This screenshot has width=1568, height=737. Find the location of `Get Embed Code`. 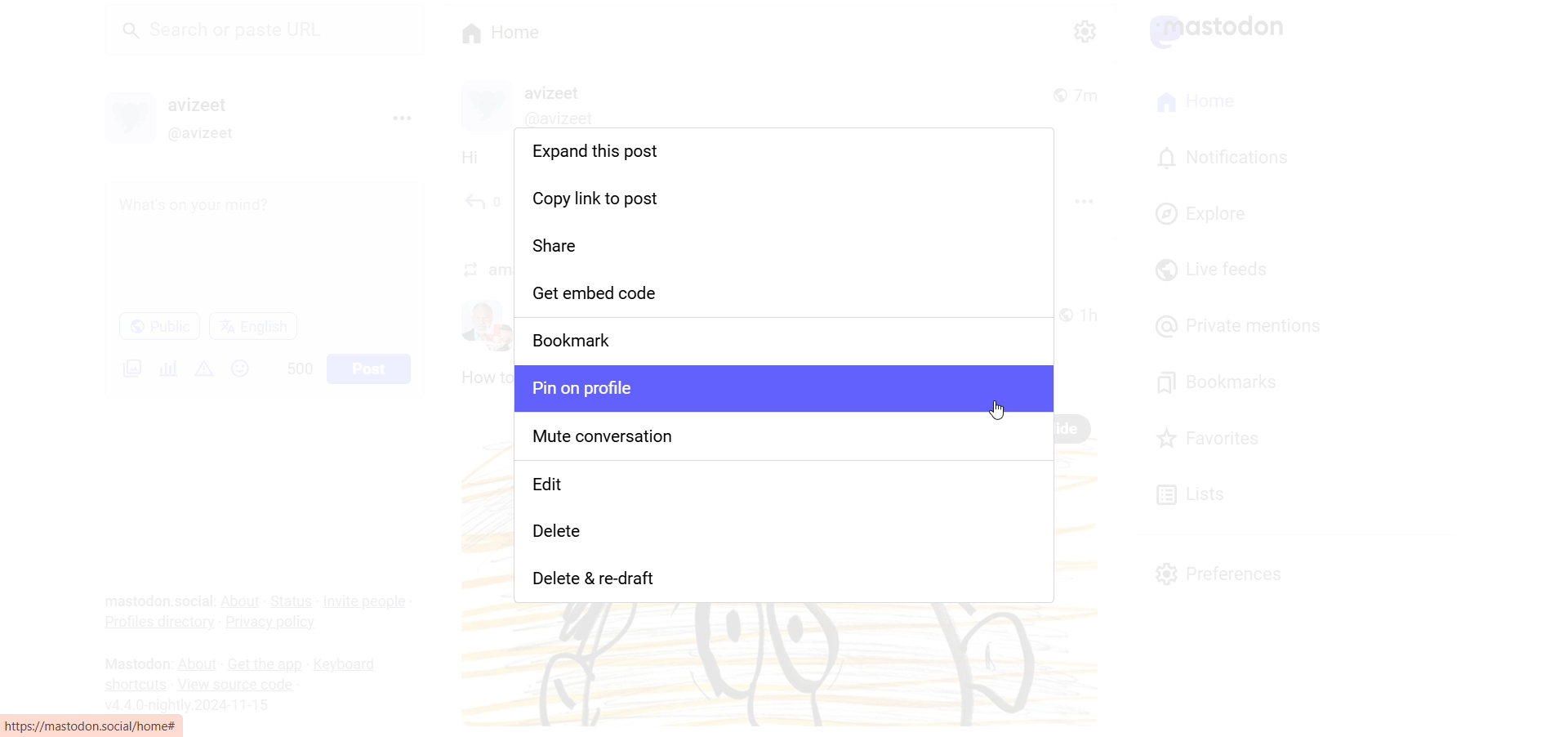

Get Embed Code is located at coordinates (786, 294).